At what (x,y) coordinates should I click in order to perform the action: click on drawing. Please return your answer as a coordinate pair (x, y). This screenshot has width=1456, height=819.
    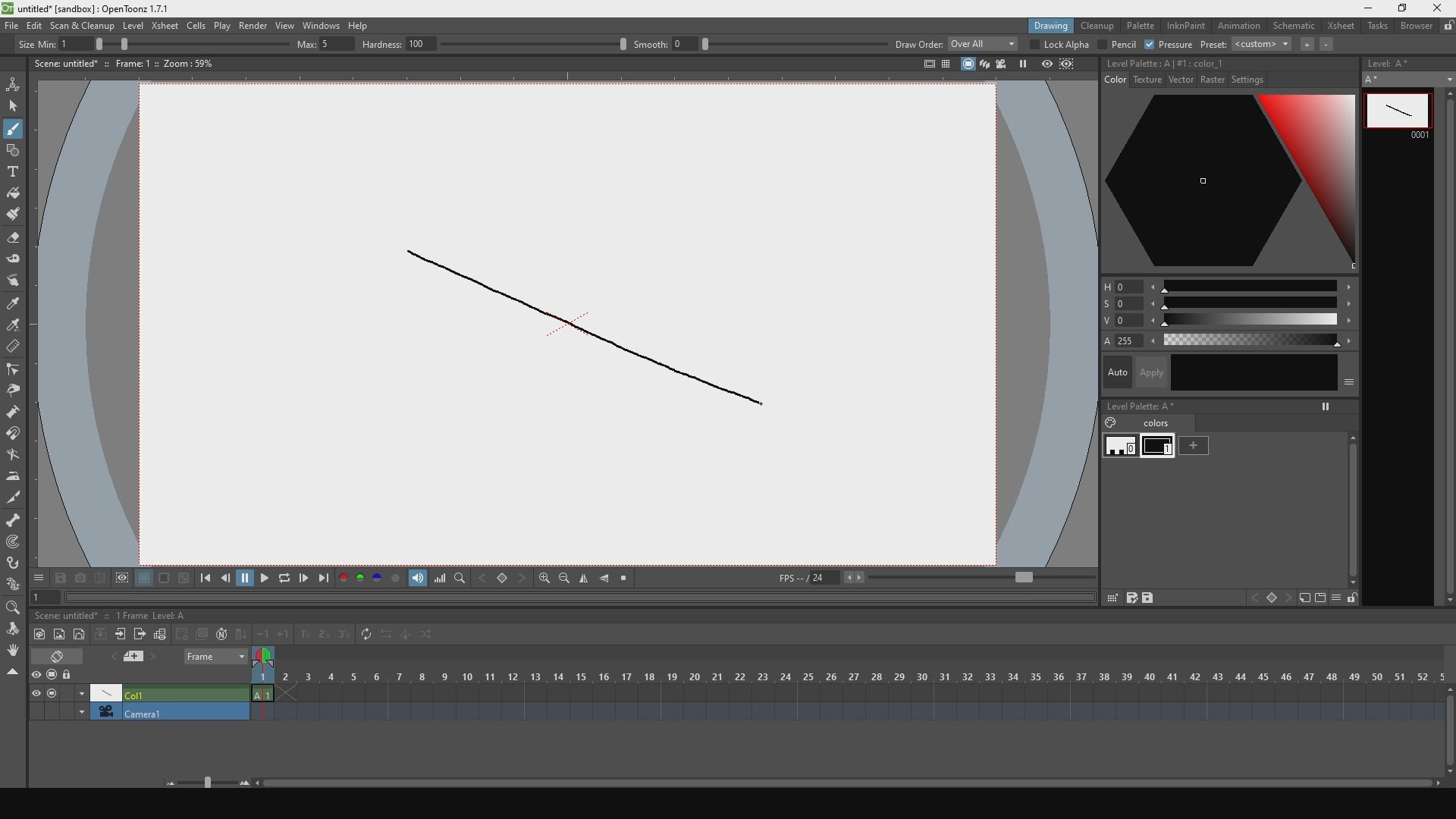
    Looking at the image, I should click on (1042, 27).